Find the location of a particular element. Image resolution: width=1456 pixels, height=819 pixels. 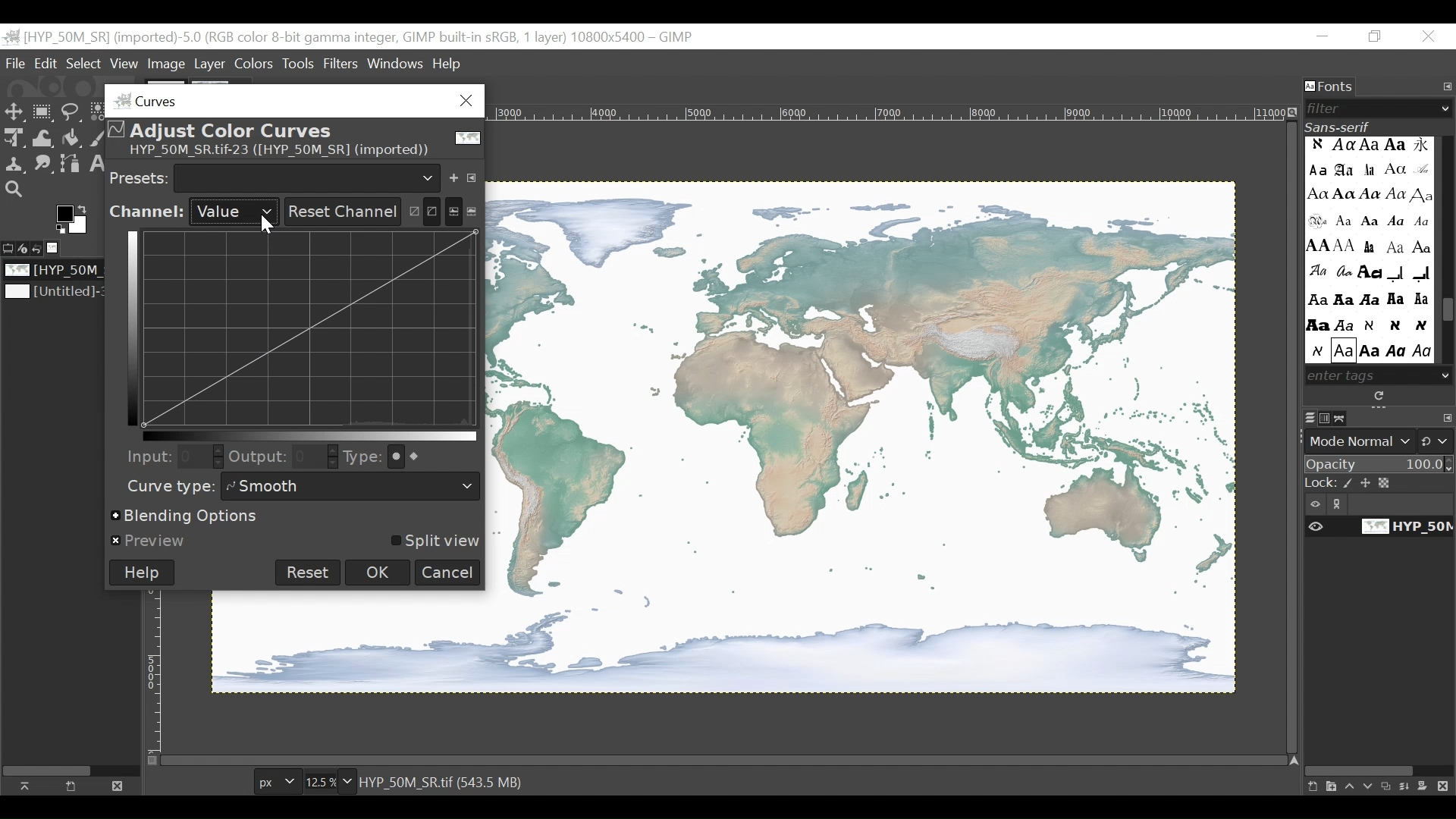

Select tool is located at coordinates (14, 113).